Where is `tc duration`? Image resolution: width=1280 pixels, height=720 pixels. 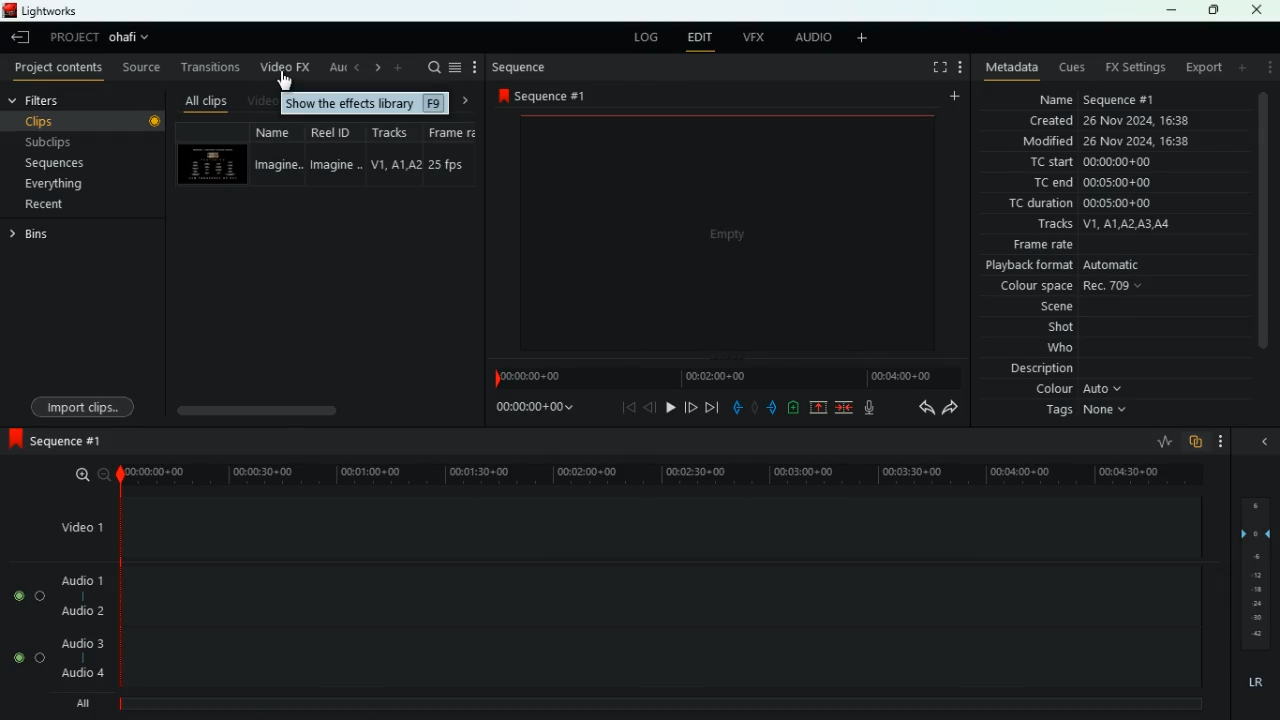 tc duration is located at coordinates (1089, 205).